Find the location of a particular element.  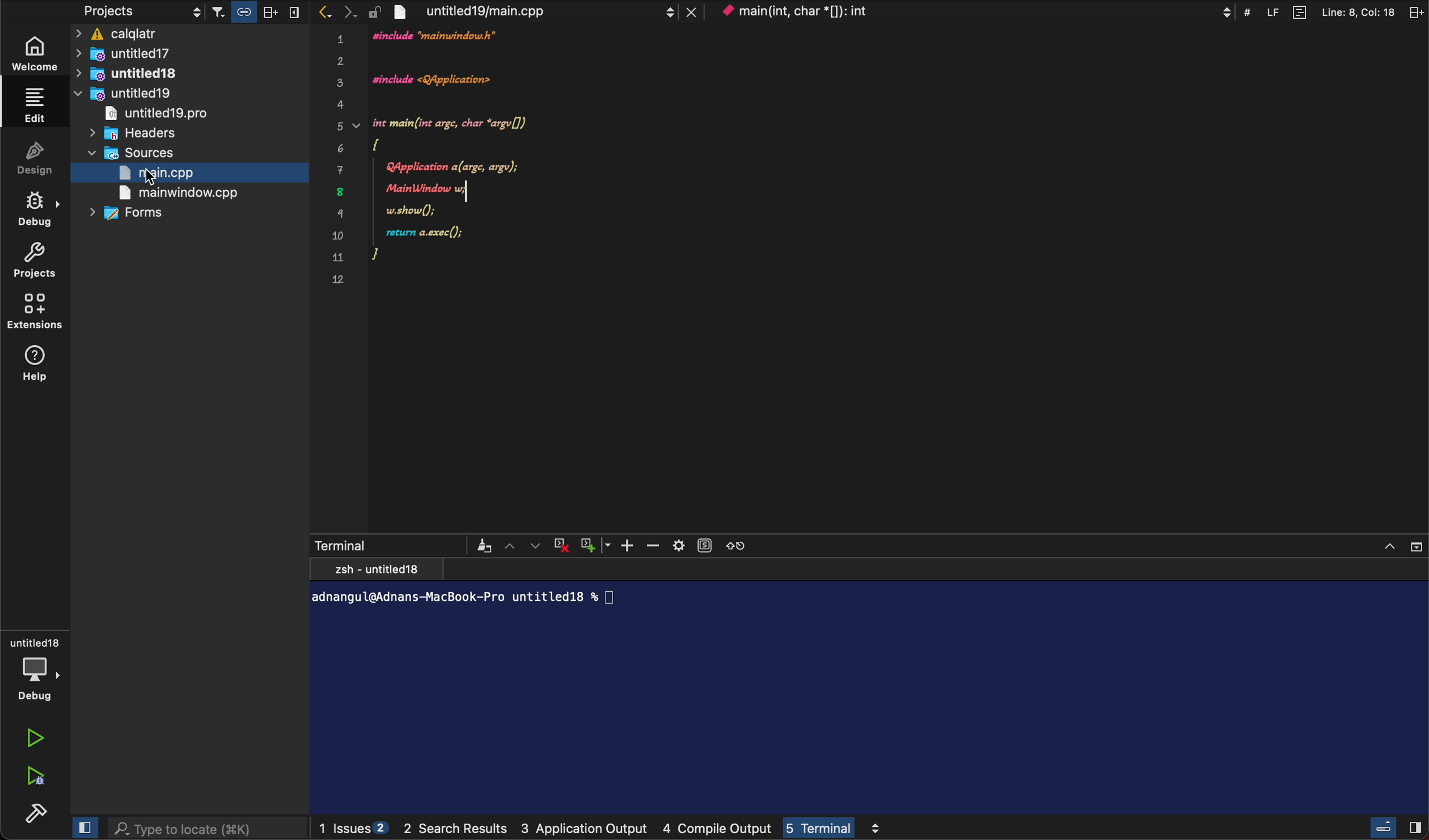

help is located at coordinates (41, 366).